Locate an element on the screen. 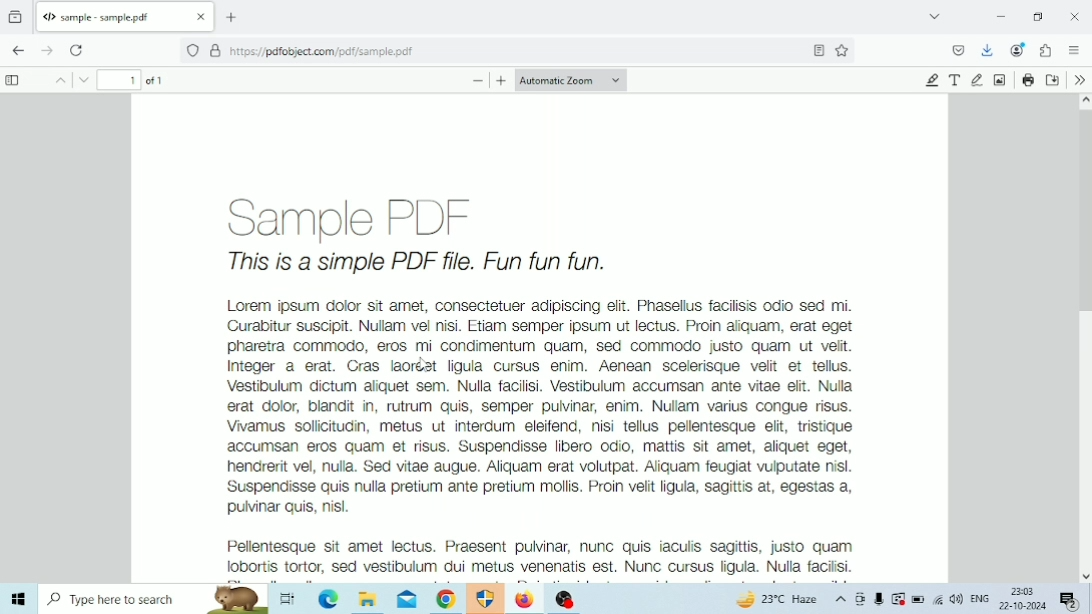 Image resolution: width=1092 pixels, height=614 pixels. Meet Now is located at coordinates (860, 599).